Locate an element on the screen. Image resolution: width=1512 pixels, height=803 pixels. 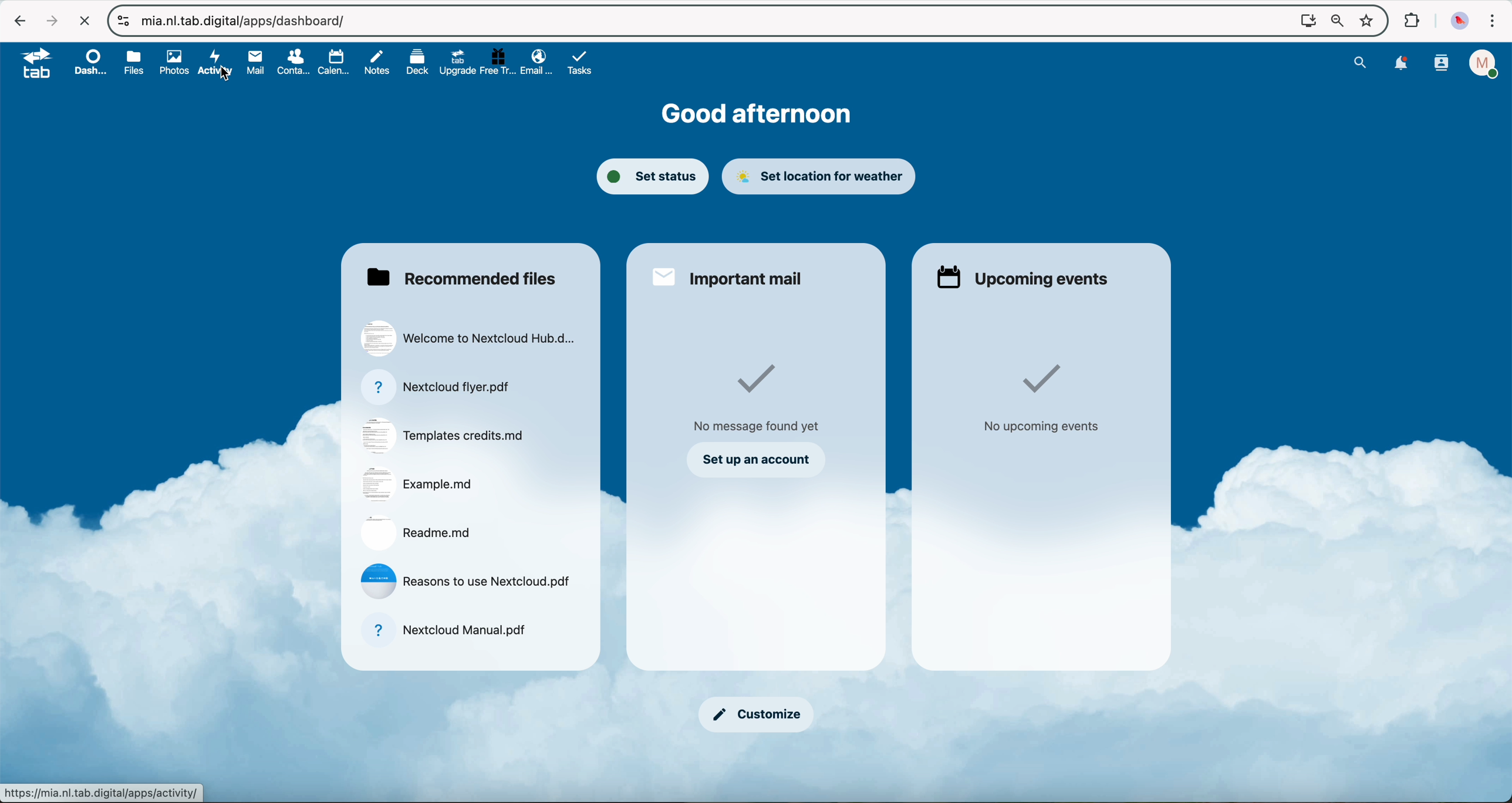
no upcoming events is located at coordinates (1043, 400).